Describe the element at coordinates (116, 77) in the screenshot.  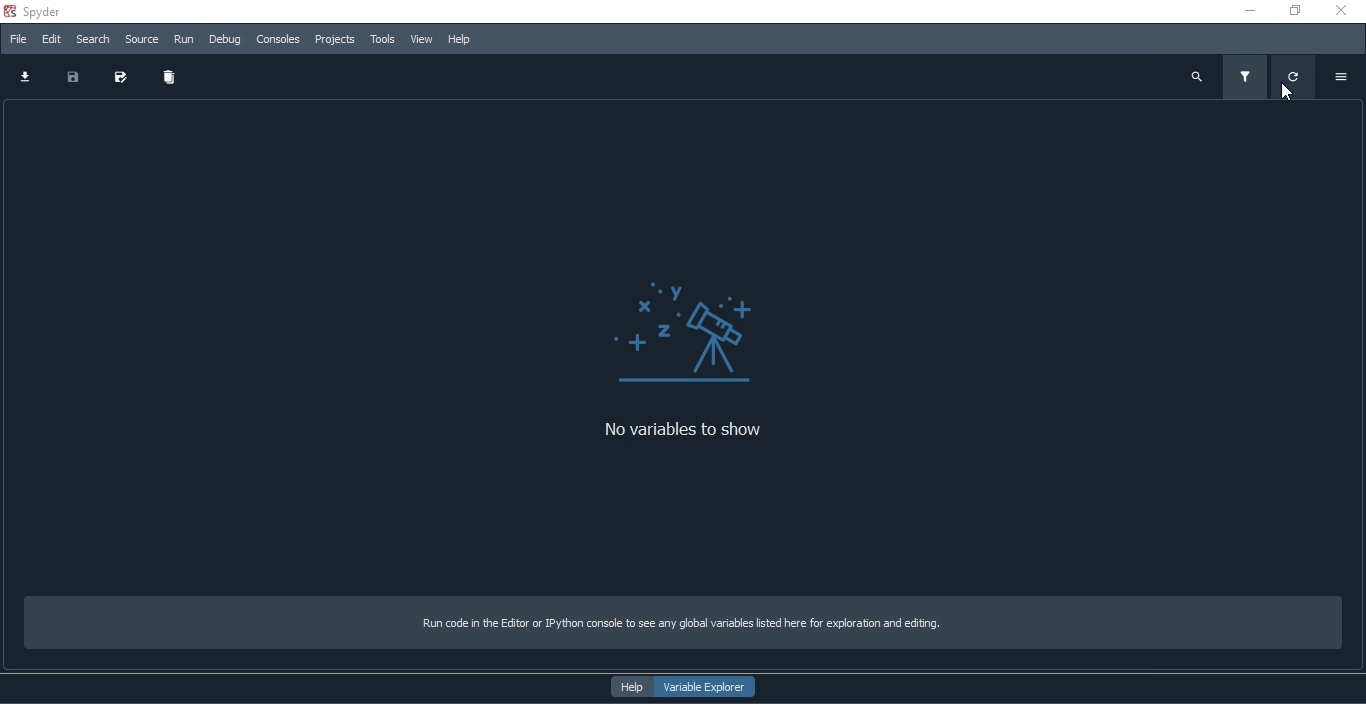
I see `save as` at that location.